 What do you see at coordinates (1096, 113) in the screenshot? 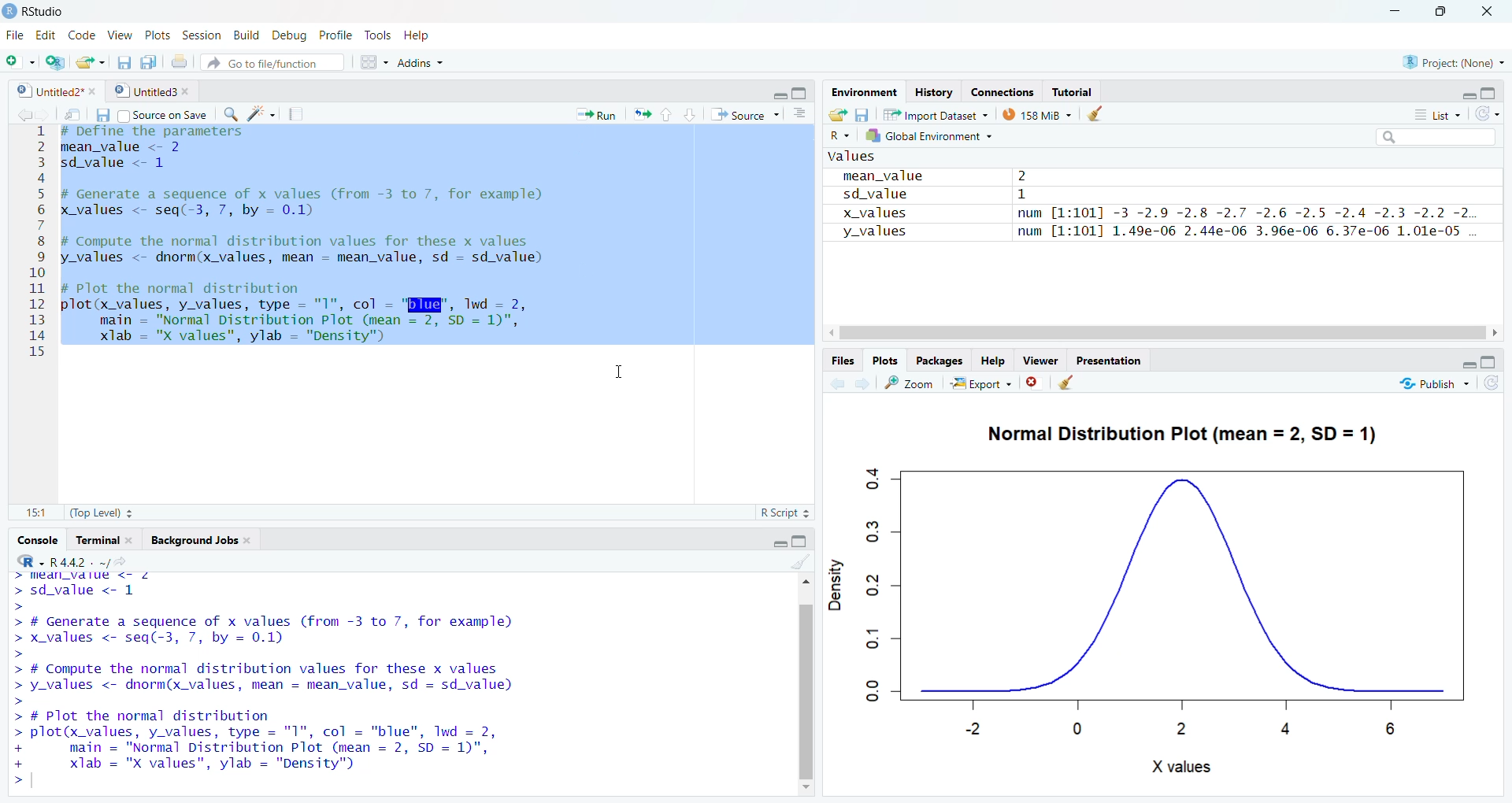
I see `` at bounding box center [1096, 113].